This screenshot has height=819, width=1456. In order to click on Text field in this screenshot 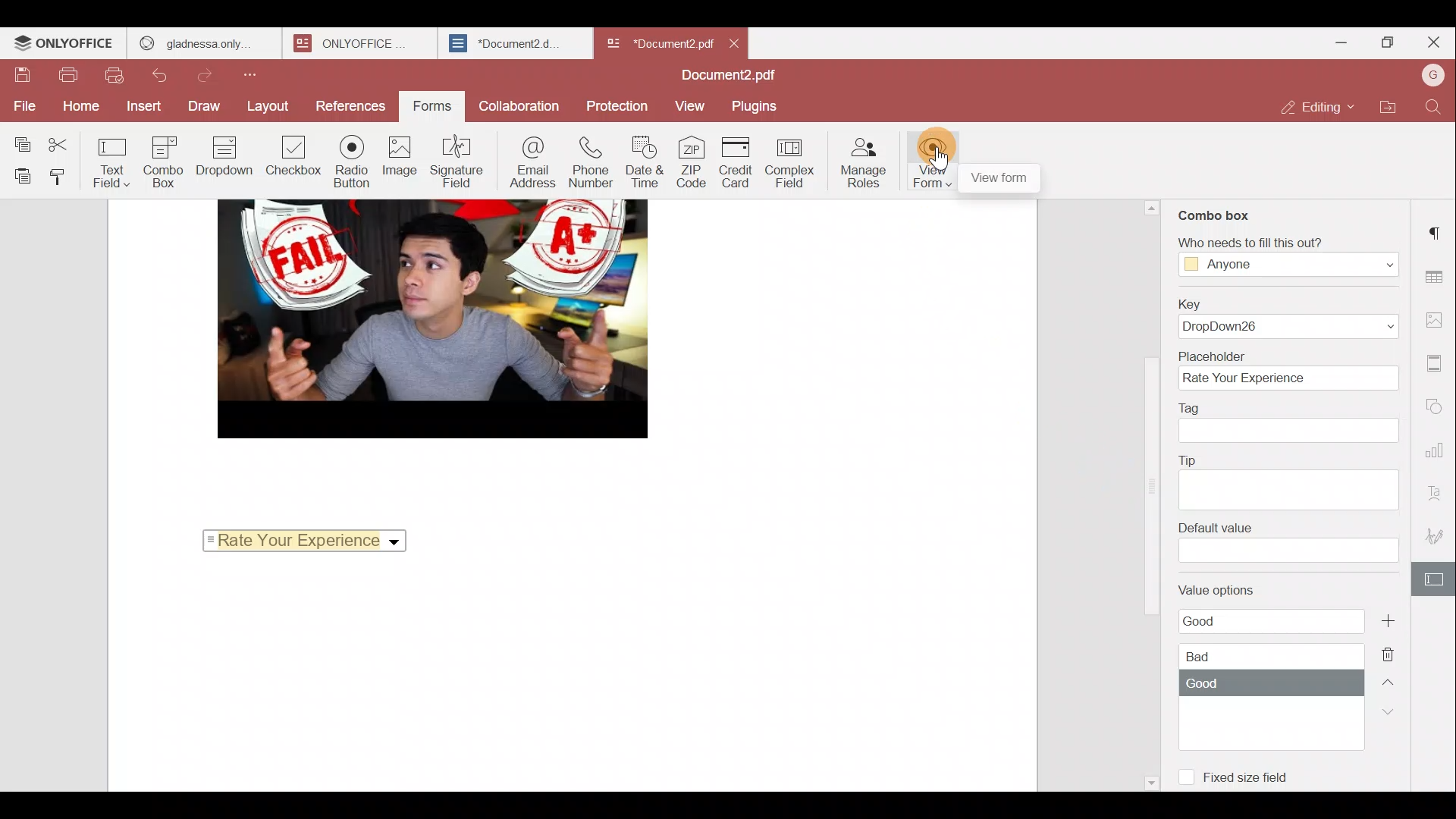, I will do `click(117, 165)`.